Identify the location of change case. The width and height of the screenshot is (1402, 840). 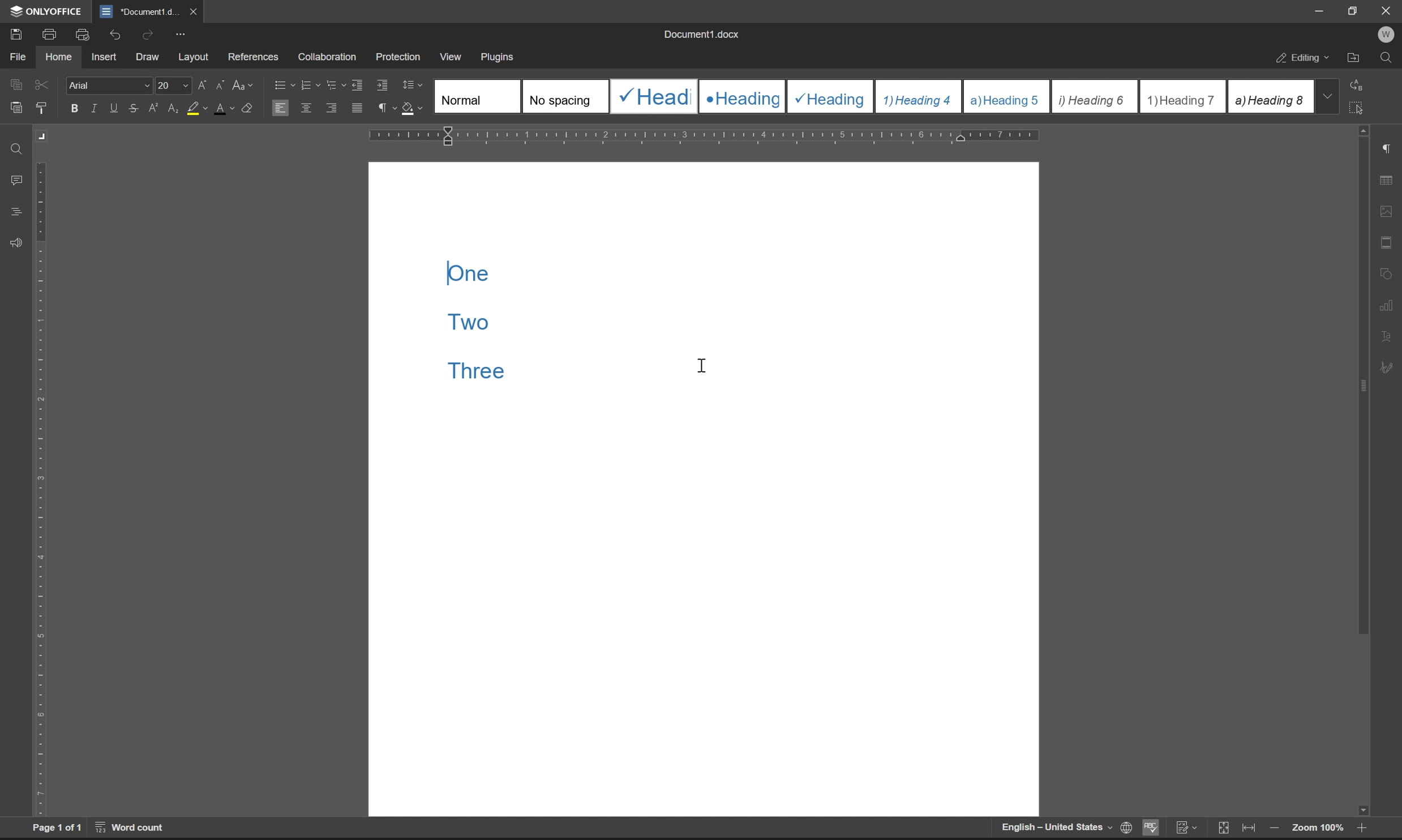
(244, 84).